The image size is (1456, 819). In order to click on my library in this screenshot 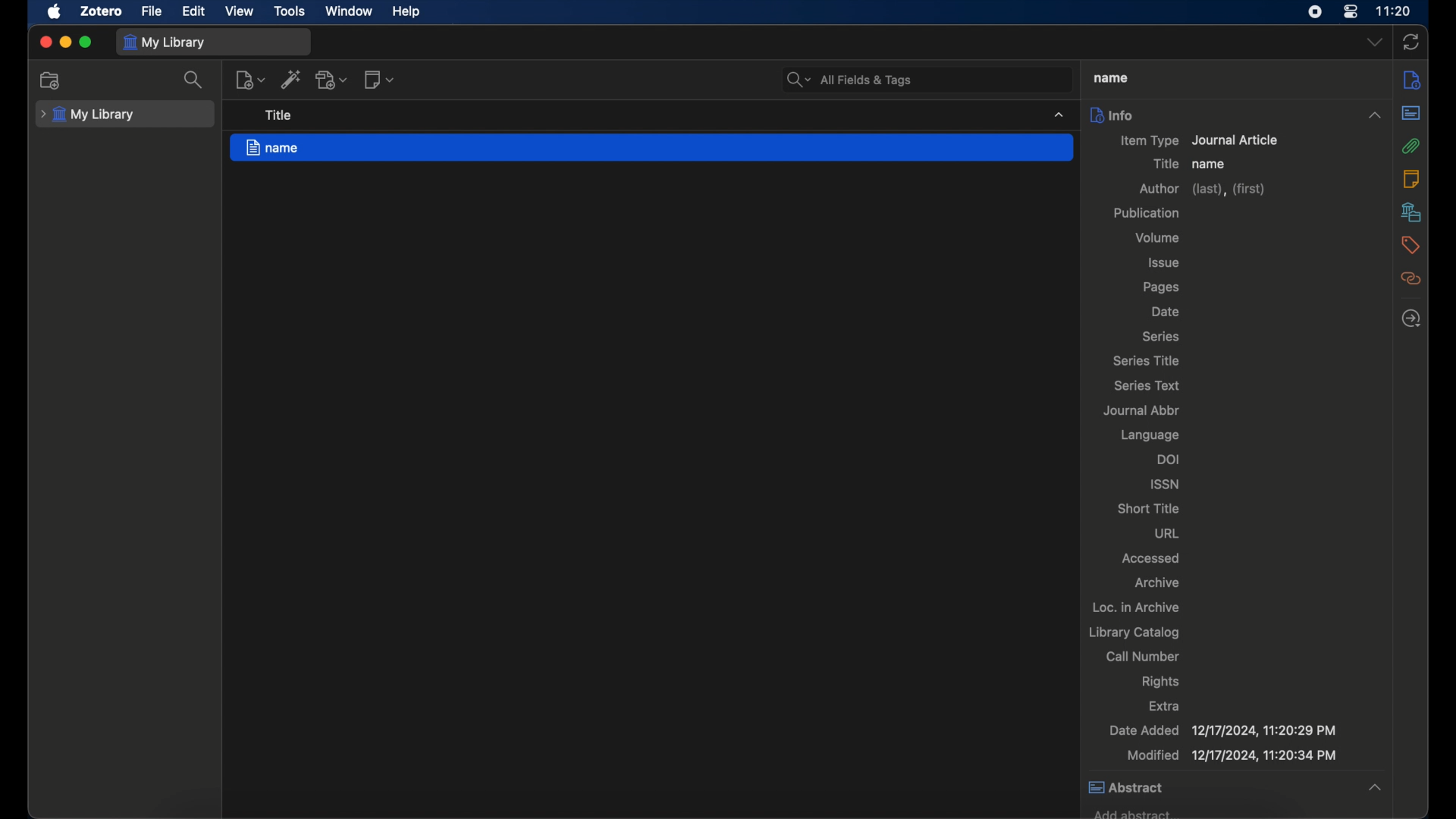, I will do `click(163, 42)`.